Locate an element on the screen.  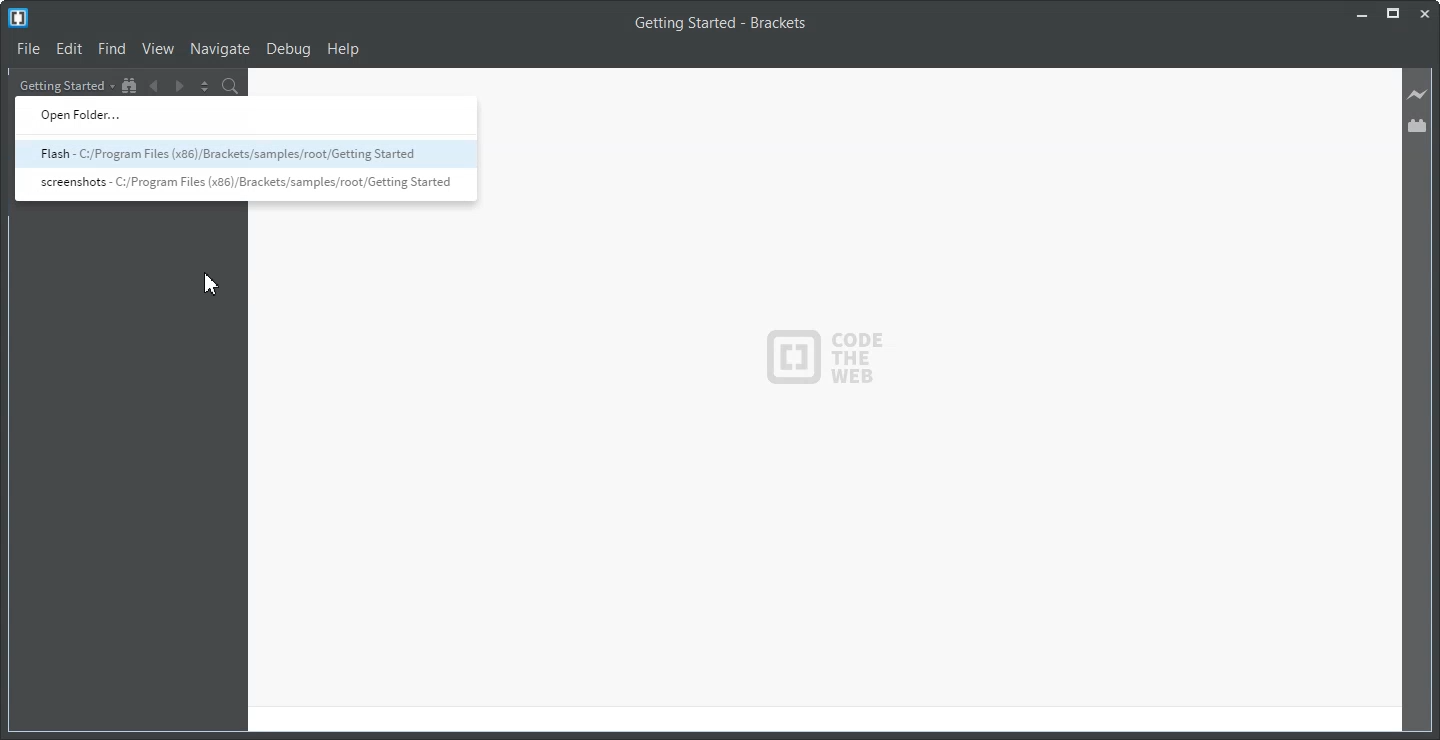
Navigate Backwards is located at coordinates (153, 86).